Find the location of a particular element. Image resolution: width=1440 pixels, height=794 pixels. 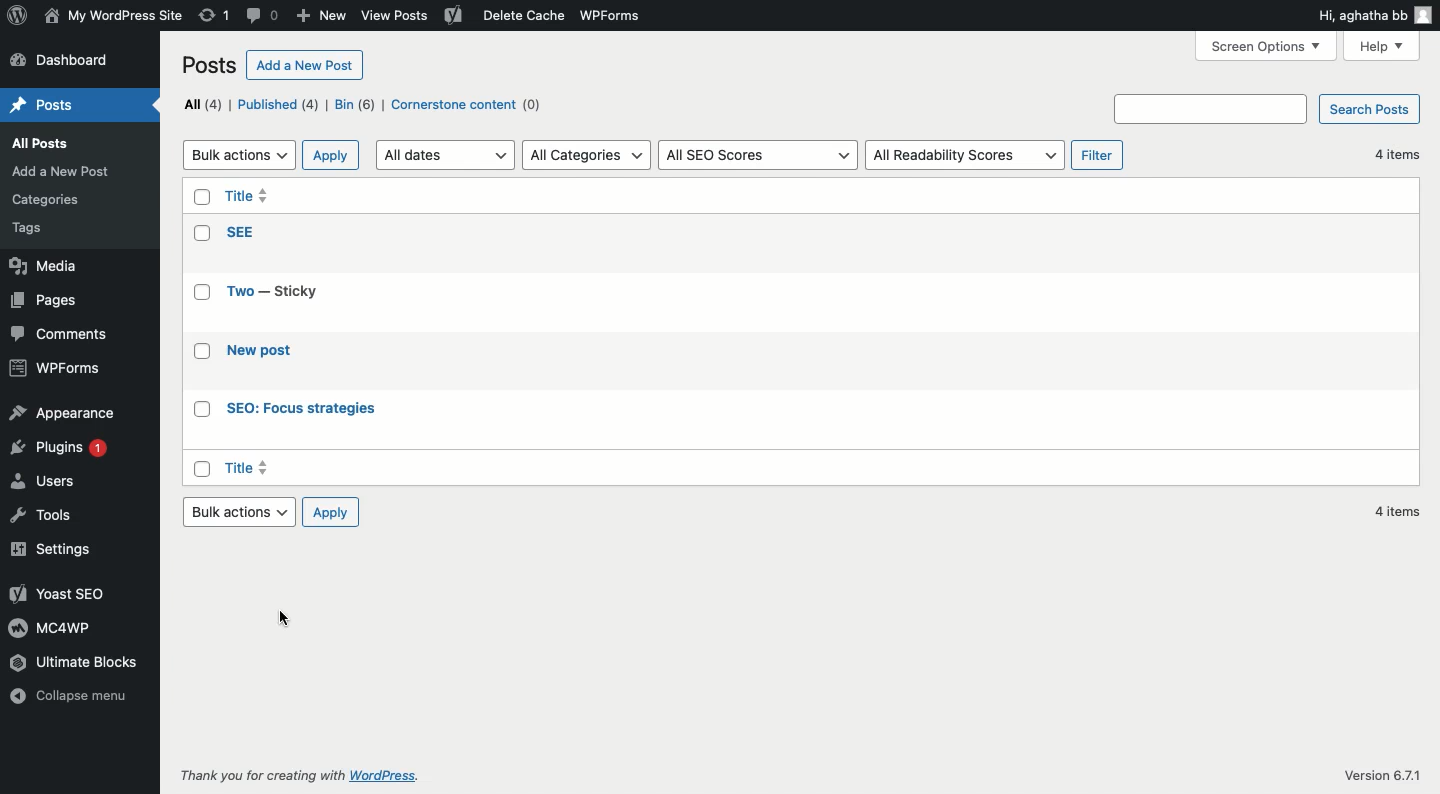

Tools is located at coordinates (41, 519).